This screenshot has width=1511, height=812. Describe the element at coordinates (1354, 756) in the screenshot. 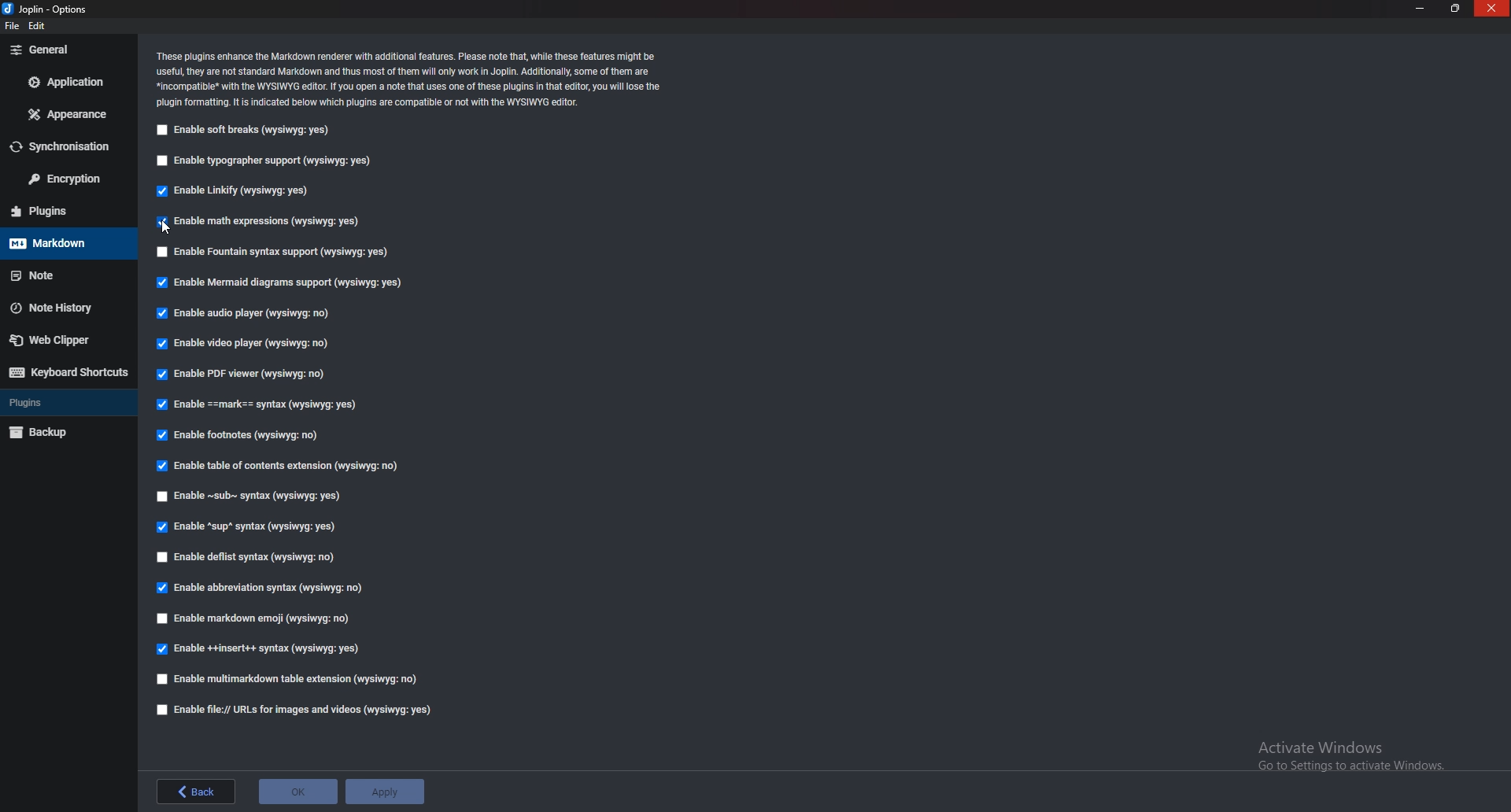

I see `Activate windows pop up` at that location.